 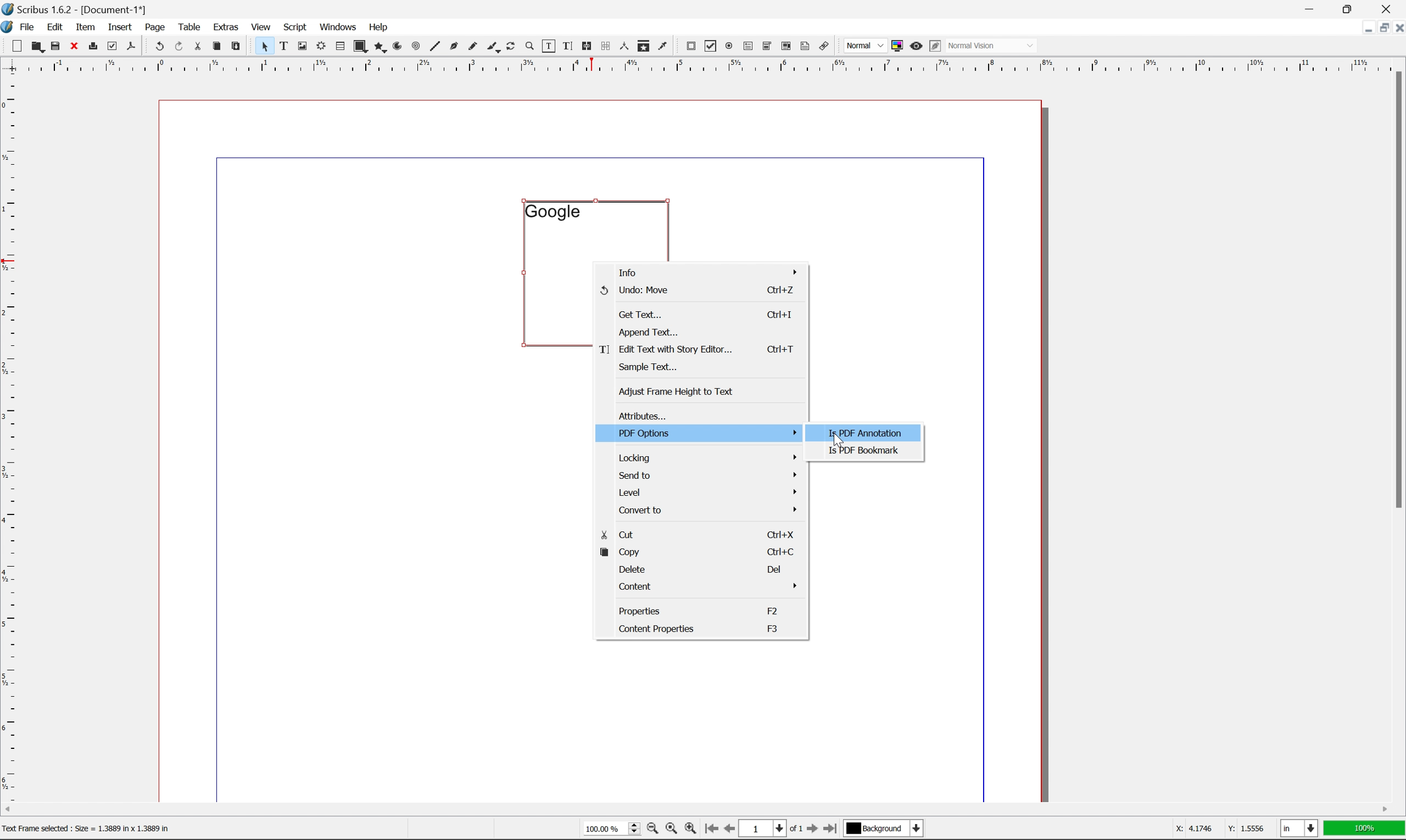 I want to click on print, so click(x=92, y=47).